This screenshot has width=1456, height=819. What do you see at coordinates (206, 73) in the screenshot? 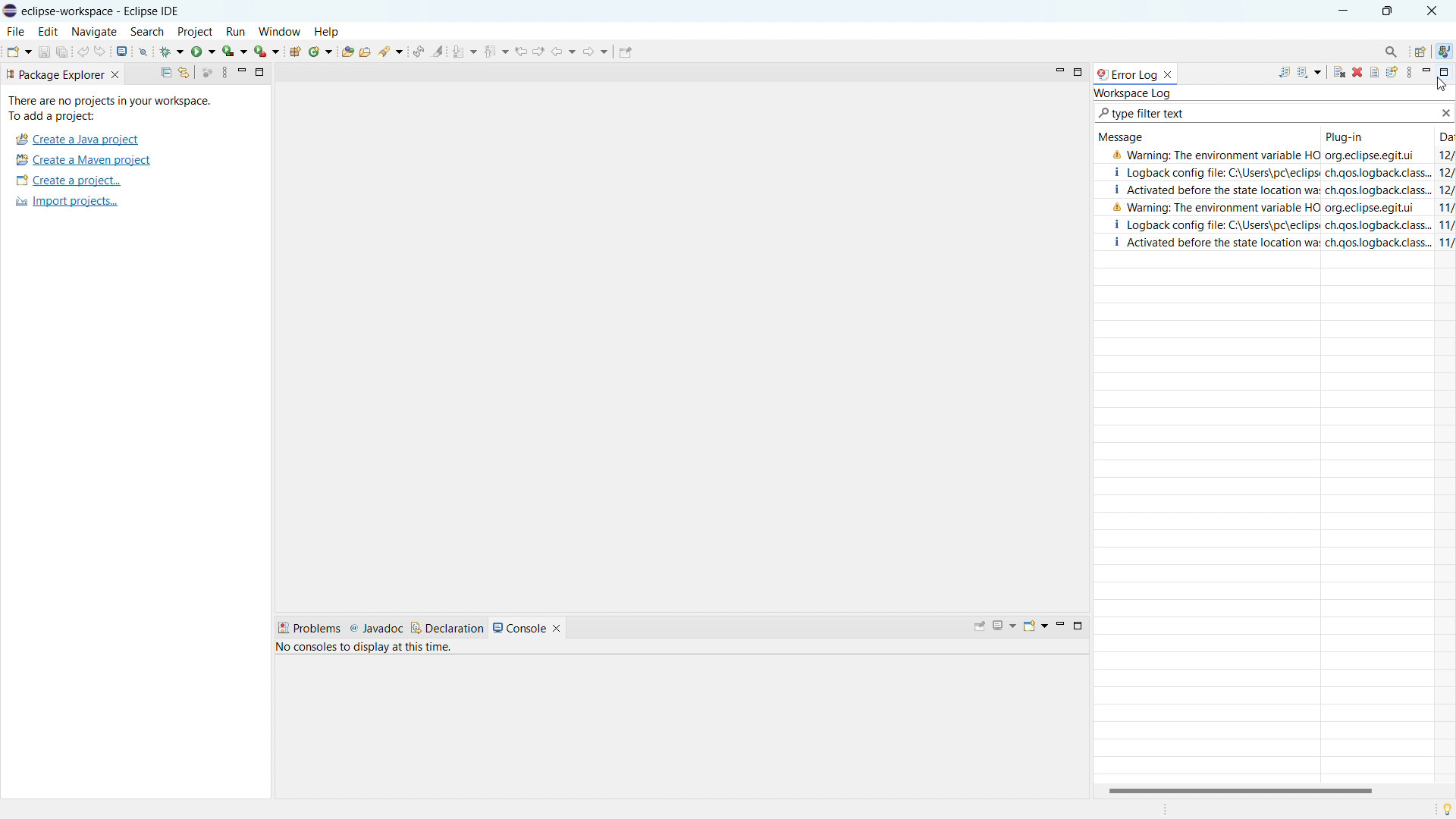
I see `focus on active task` at bounding box center [206, 73].